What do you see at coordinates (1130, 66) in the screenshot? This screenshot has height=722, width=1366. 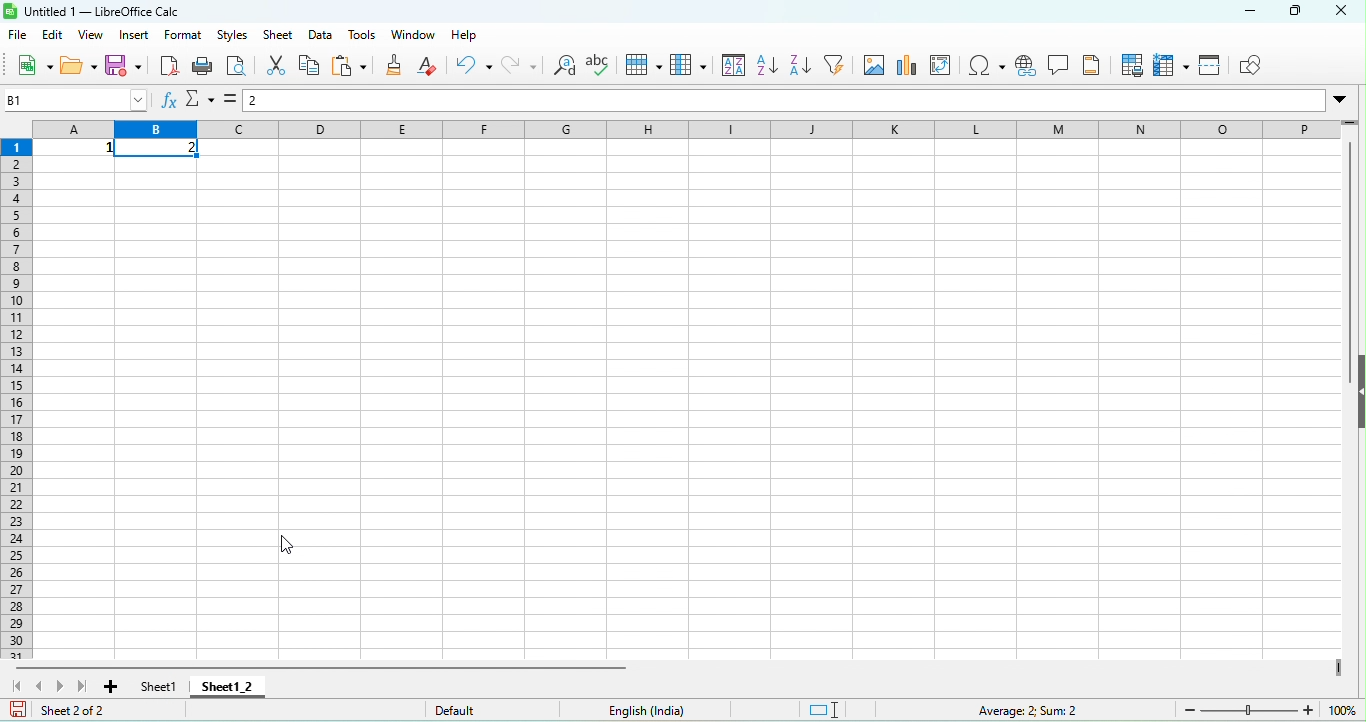 I see `print area` at bounding box center [1130, 66].